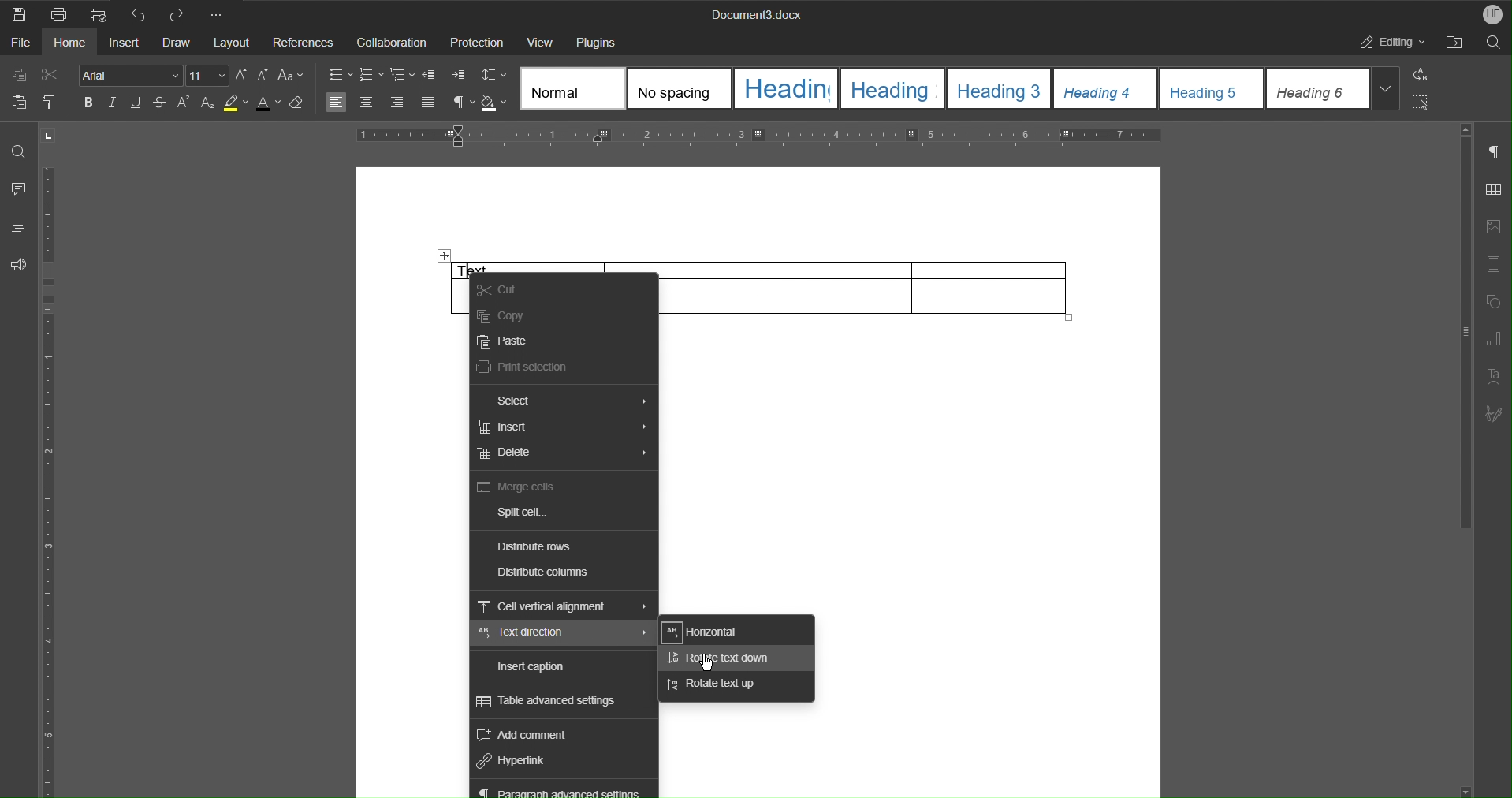 The height and width of the screenshot is (798, 1512). Describe the element at coordinates (20, 43) in the screenshot. I see `File` at that location.